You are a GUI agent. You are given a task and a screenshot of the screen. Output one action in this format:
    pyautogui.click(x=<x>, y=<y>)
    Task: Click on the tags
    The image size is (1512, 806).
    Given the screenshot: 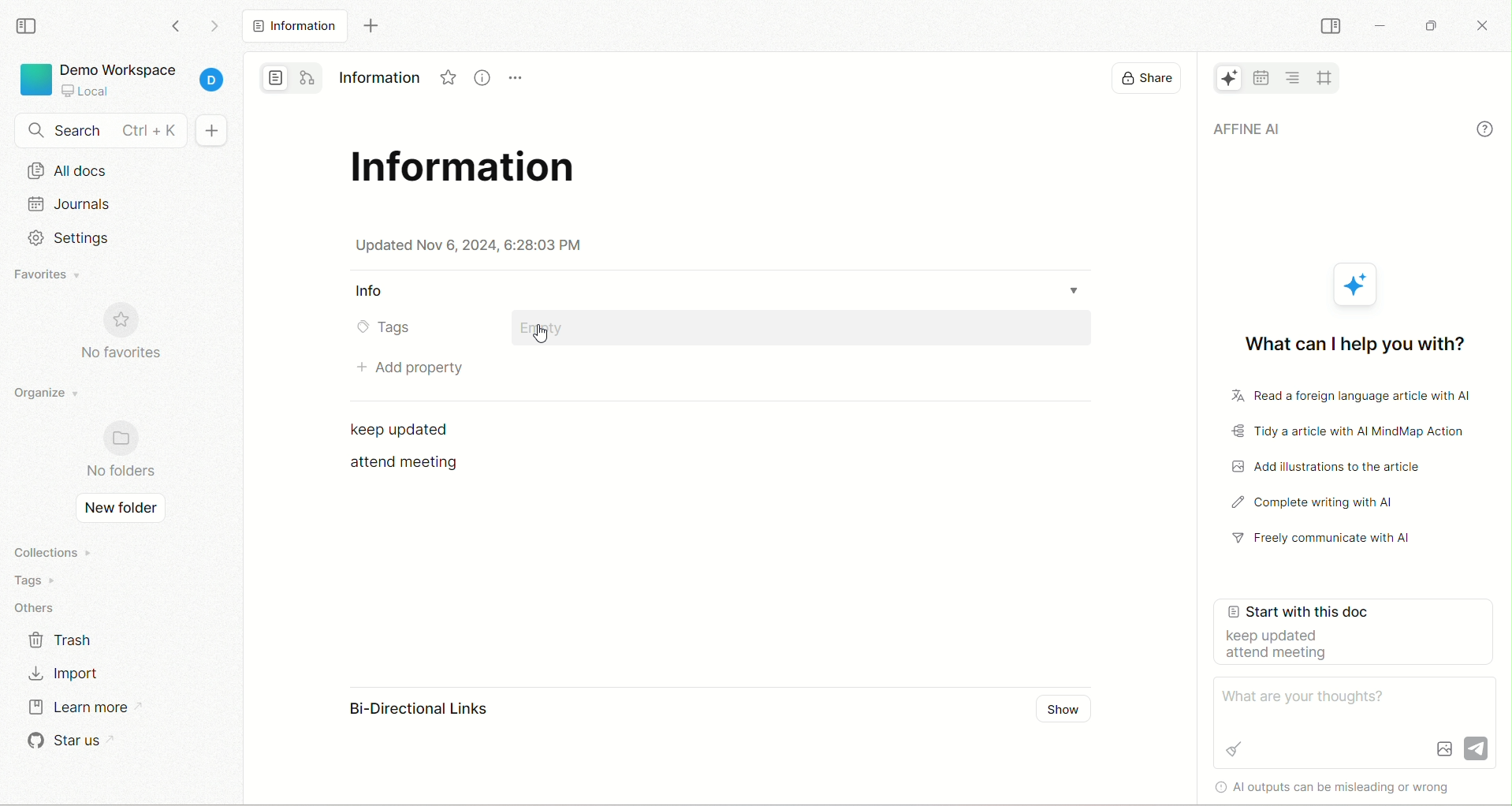 What is the action you would take?
    pyautogui.click(x=382, y=329)
    